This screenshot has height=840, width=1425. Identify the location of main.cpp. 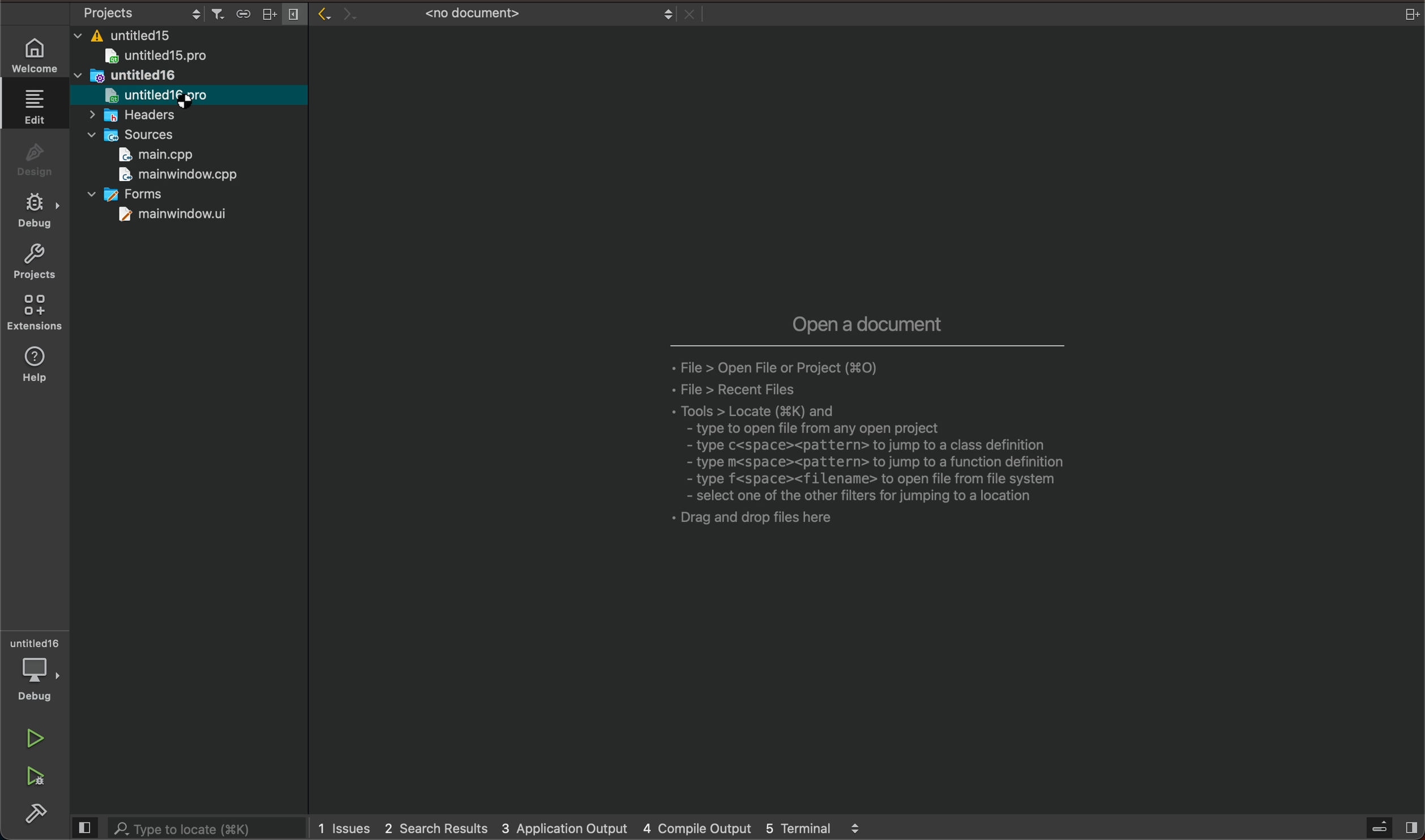
(160, 156).